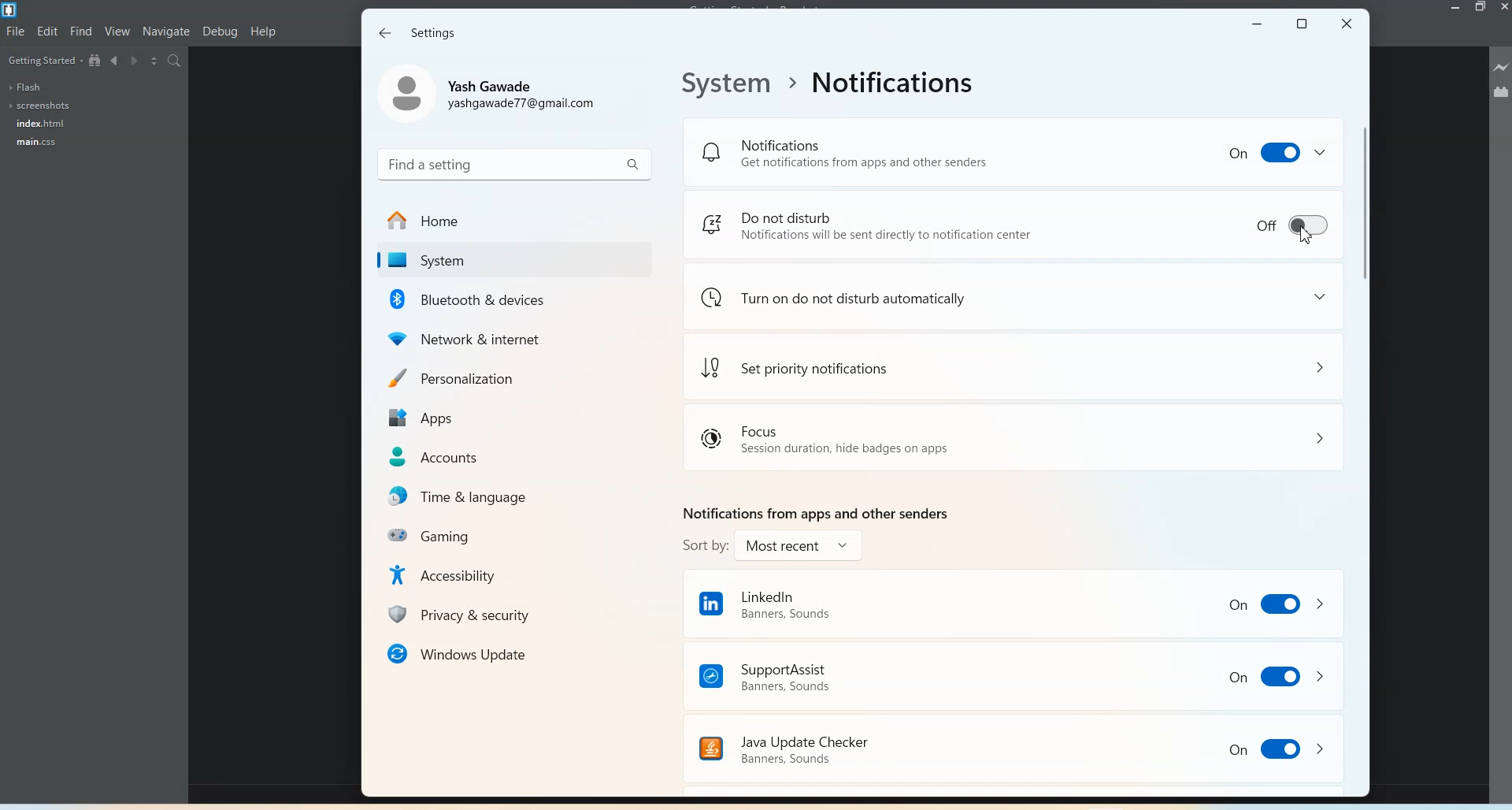 The height and width of the screenshot is (810, 1512). Describe the element at coordinates (34, 141) in the screenshot. I see `main.css` at that location.